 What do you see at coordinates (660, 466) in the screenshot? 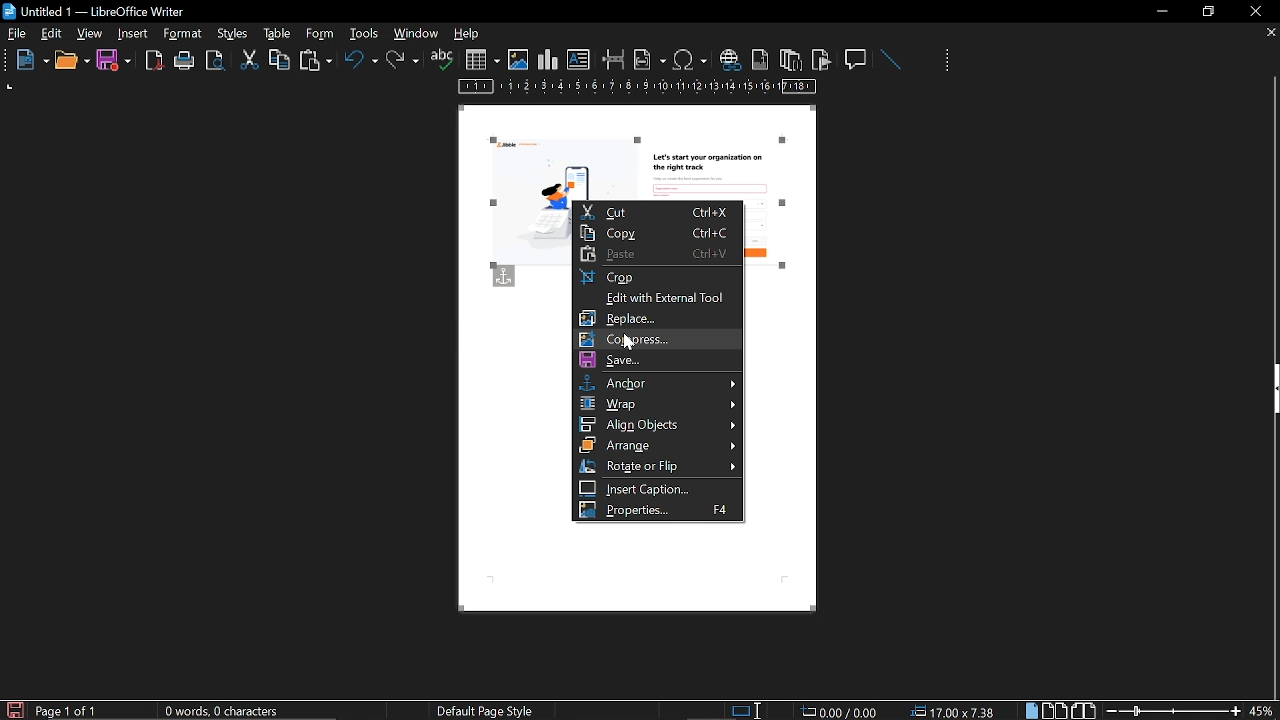
I see `rotate or flip` at bounding box center [660, 466].